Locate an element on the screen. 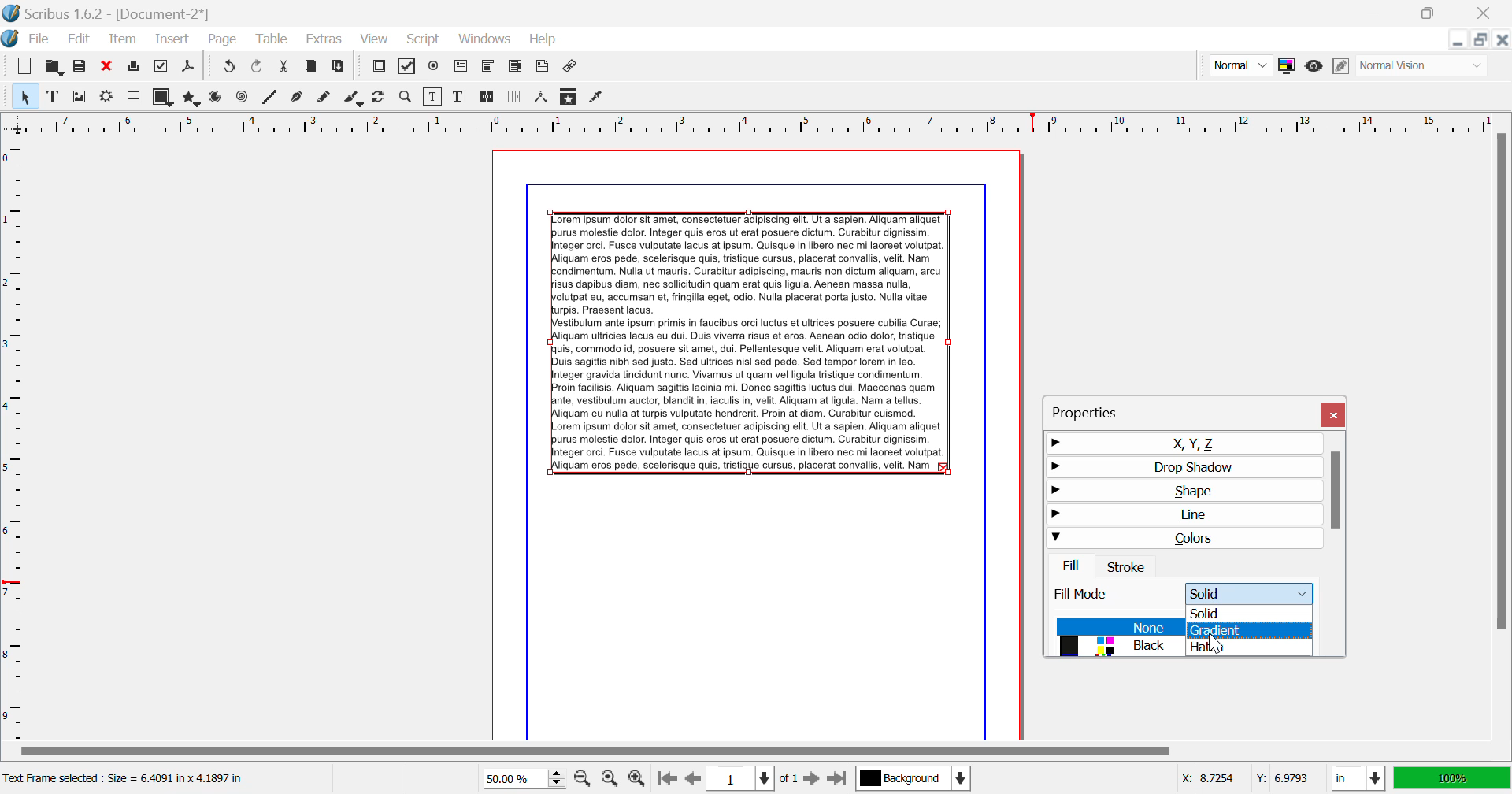 The height and width of the screenshot is (794, 1512). Zoom In is located at coordinates (638, 779).